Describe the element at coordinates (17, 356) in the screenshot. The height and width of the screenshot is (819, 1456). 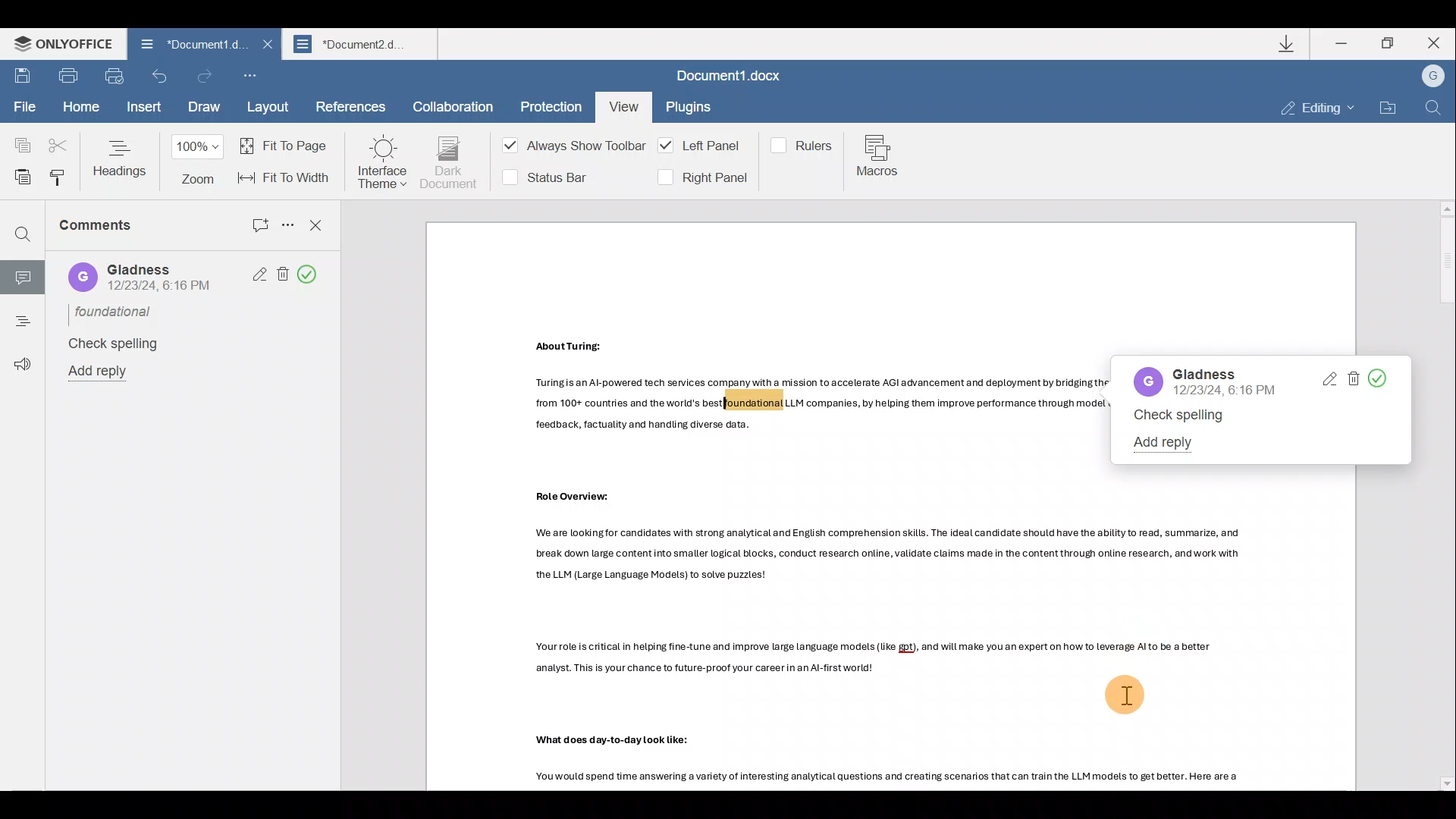
I see `Feedback & support` at that location.